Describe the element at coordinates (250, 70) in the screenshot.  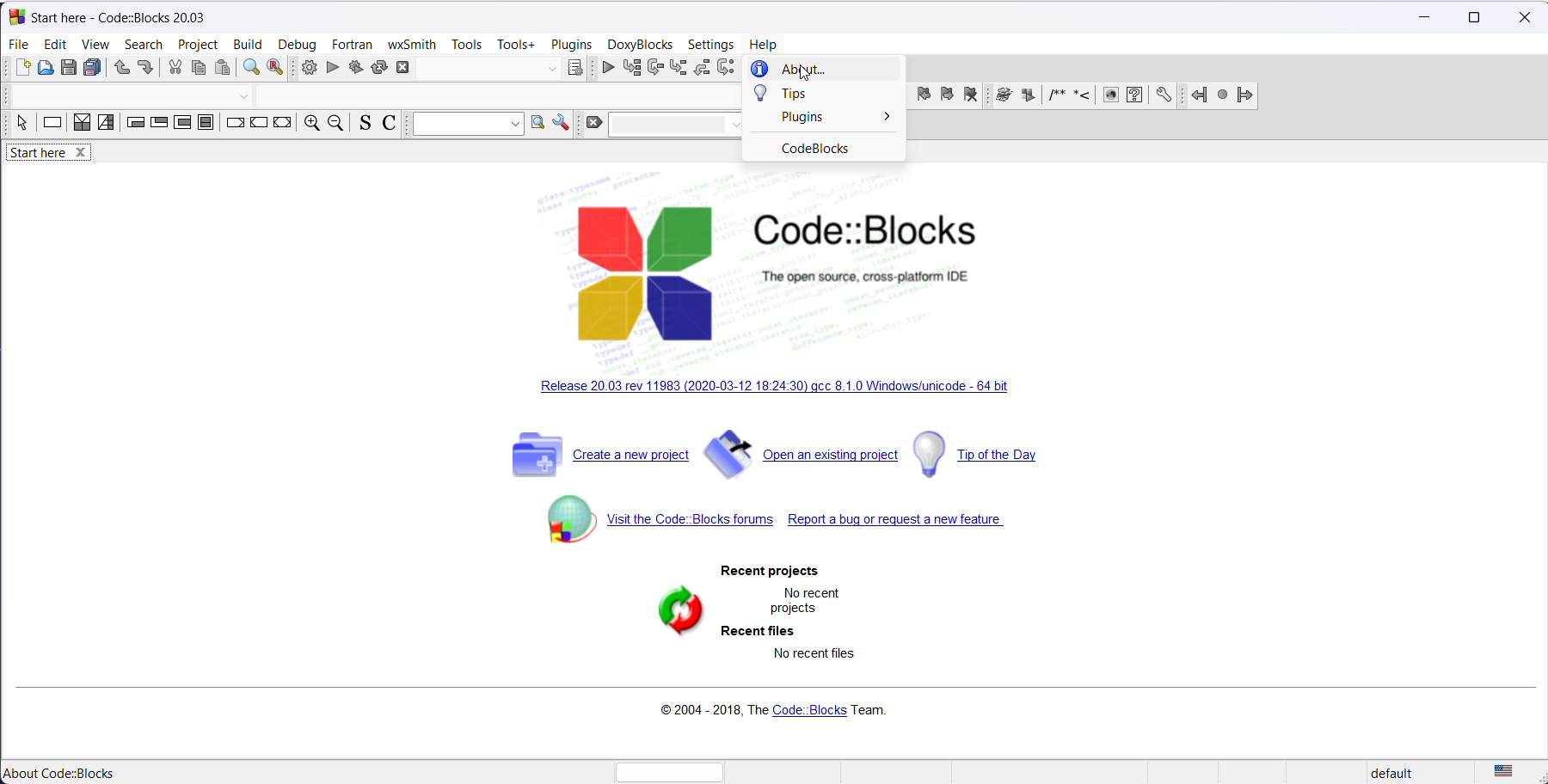
I see `find` at that location.